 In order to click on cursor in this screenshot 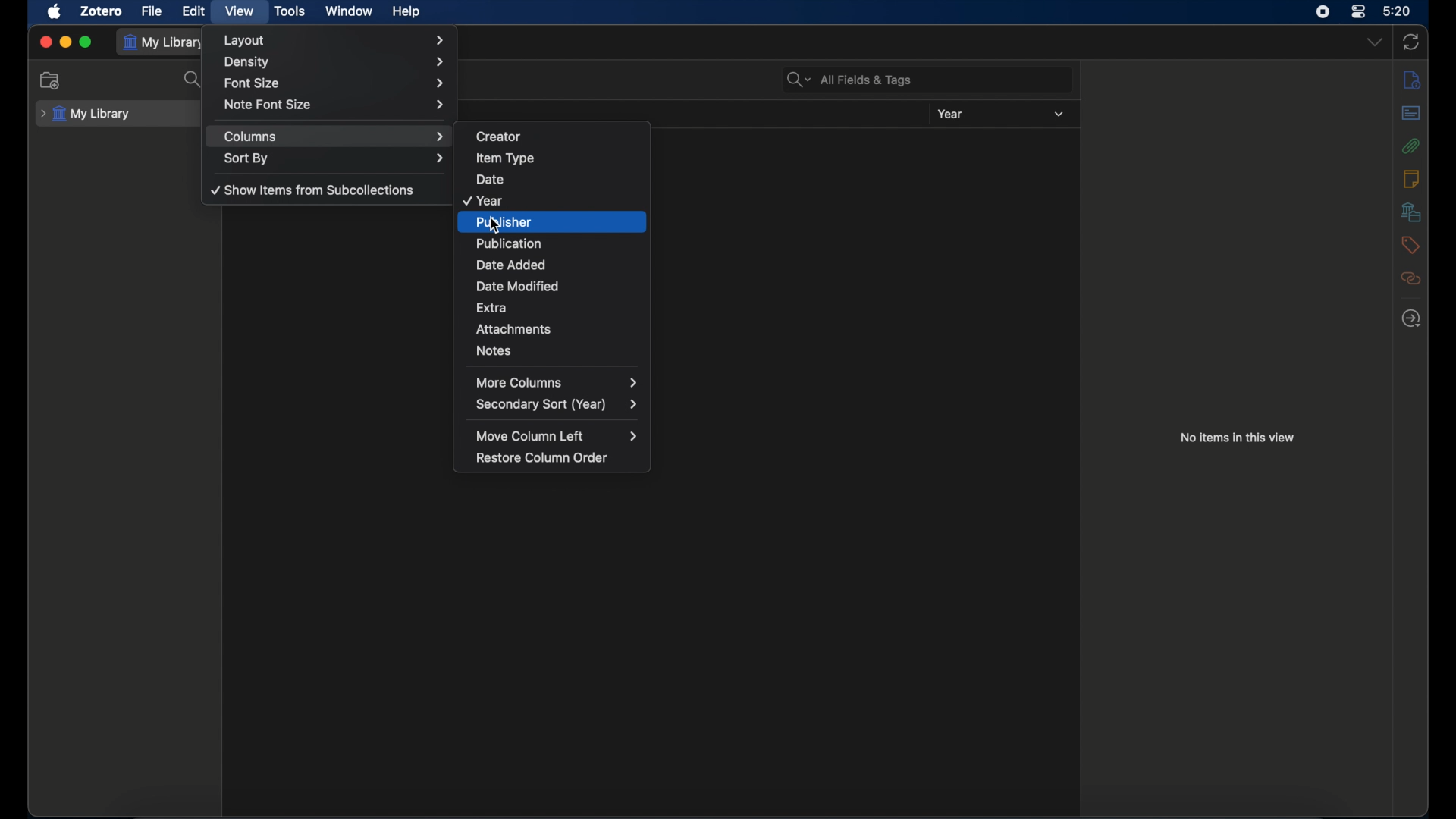, I will do `click(497, 227)`.